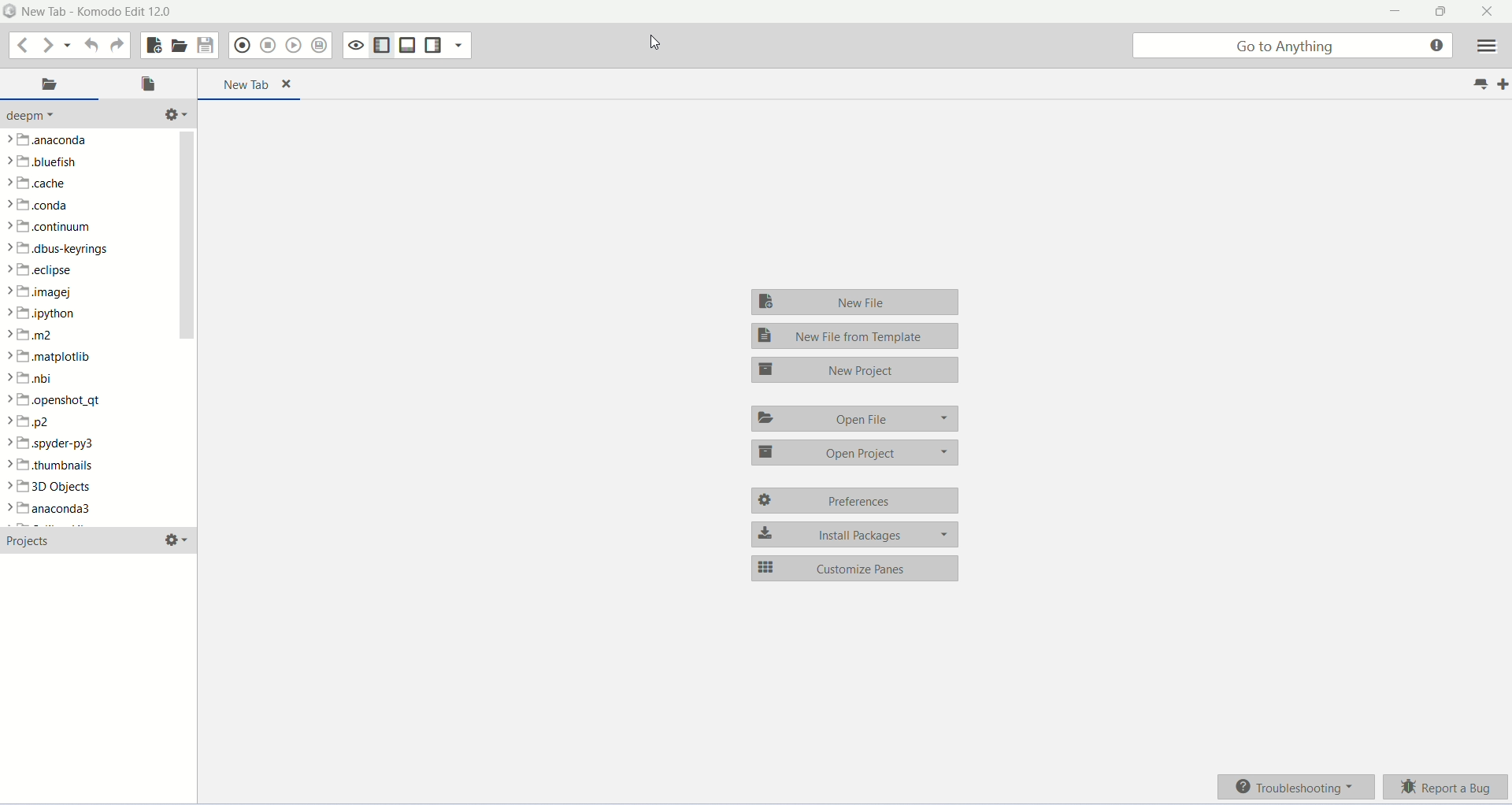 This screenshot has width=1512, height=805. I want to click on new tab, so click(1503, 84).